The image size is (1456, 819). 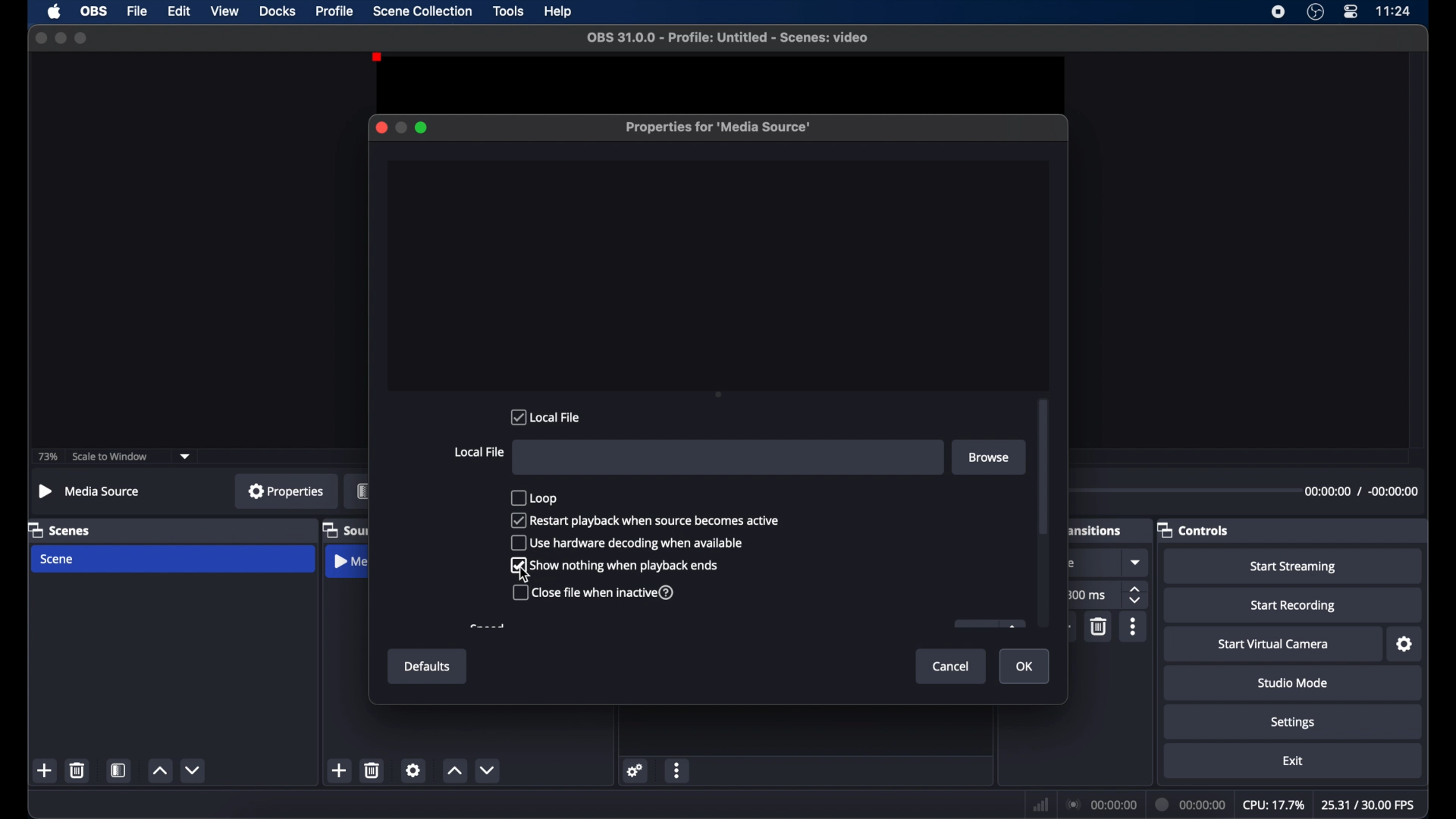 I want to click on cpu, so click(x=1272, y=805).